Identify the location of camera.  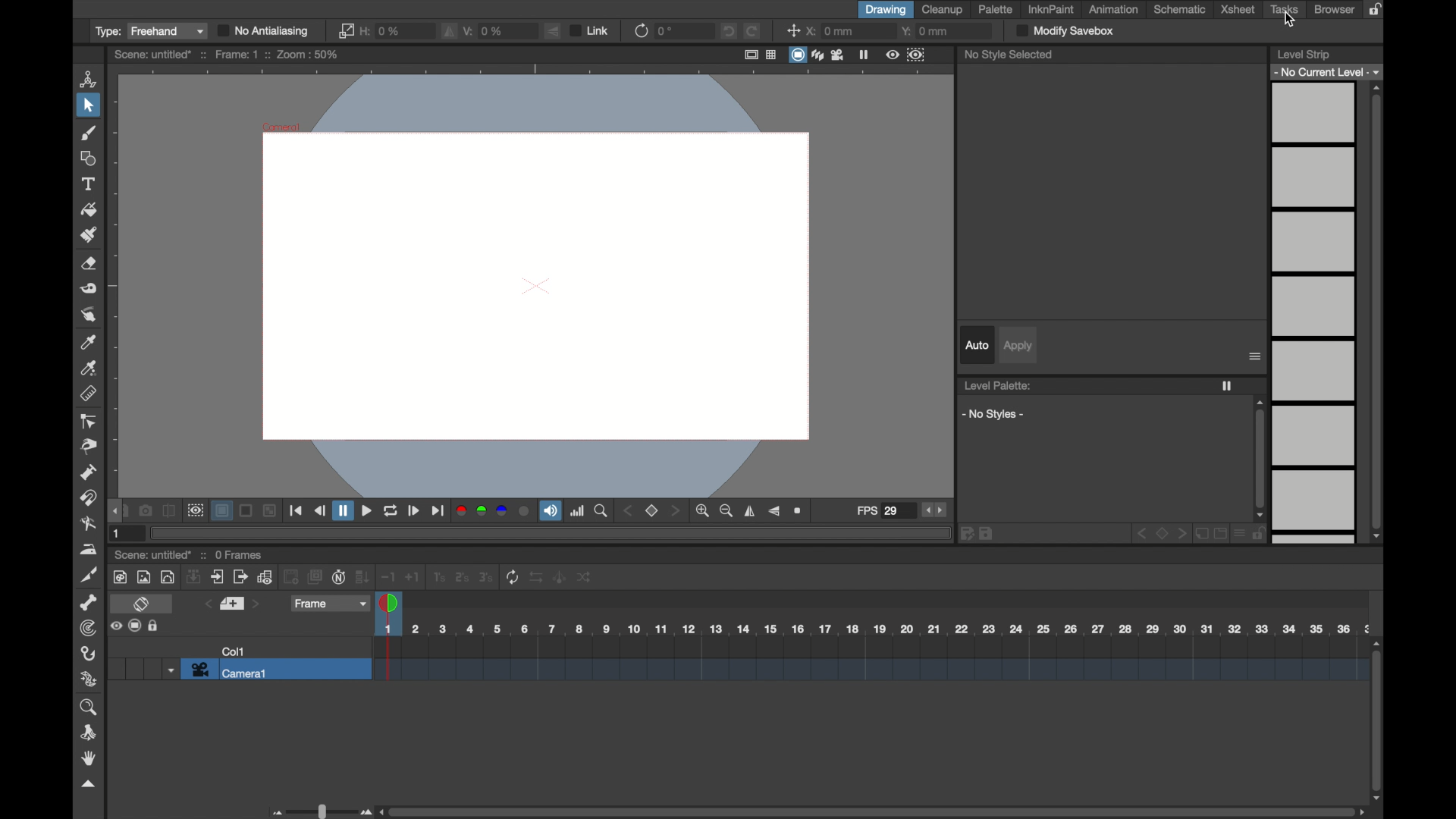
(839, 55).